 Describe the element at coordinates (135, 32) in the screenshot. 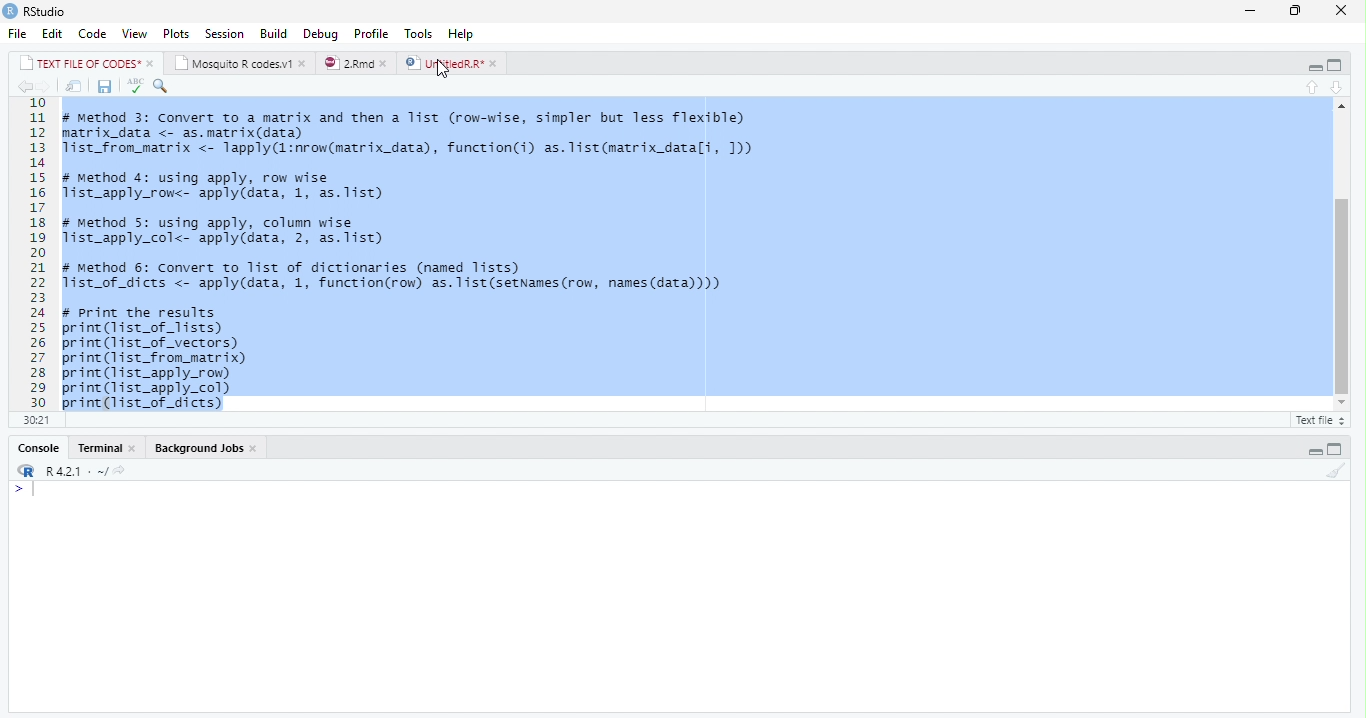

I see `View` at that location.